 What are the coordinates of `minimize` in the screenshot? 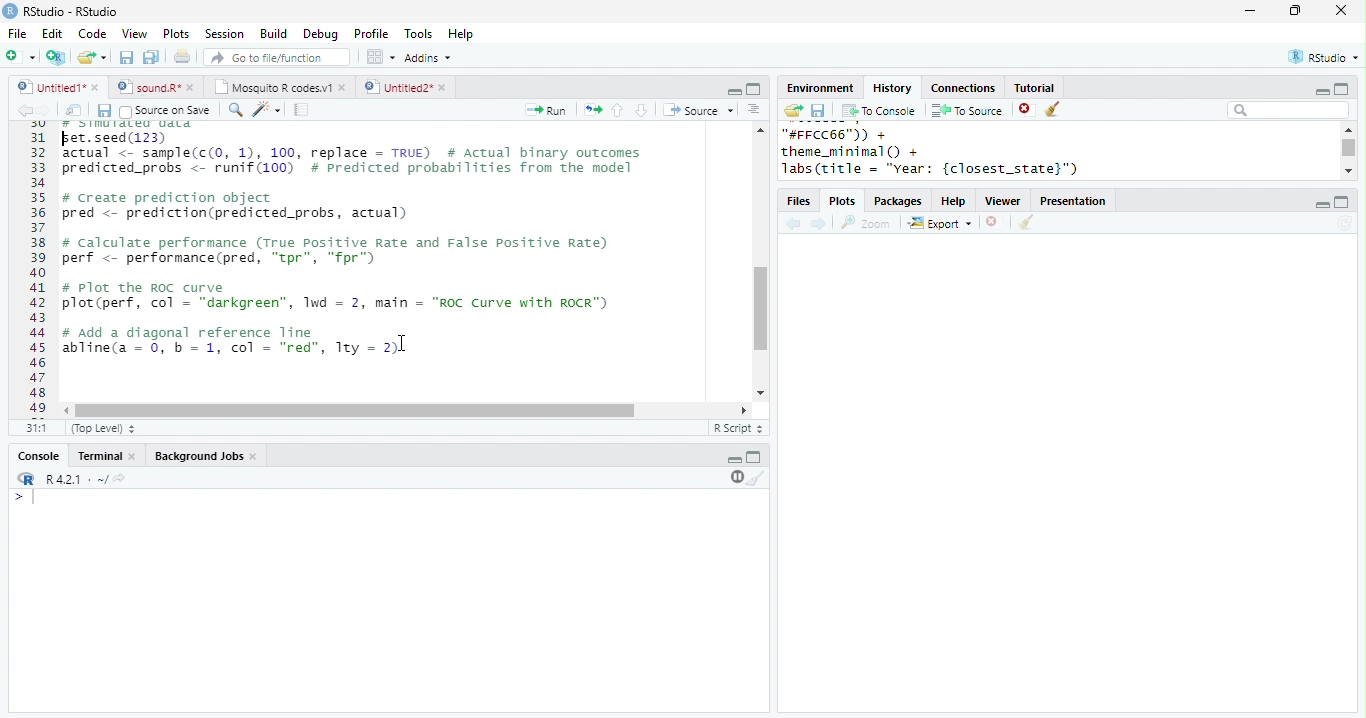 It's located at (734, 460).